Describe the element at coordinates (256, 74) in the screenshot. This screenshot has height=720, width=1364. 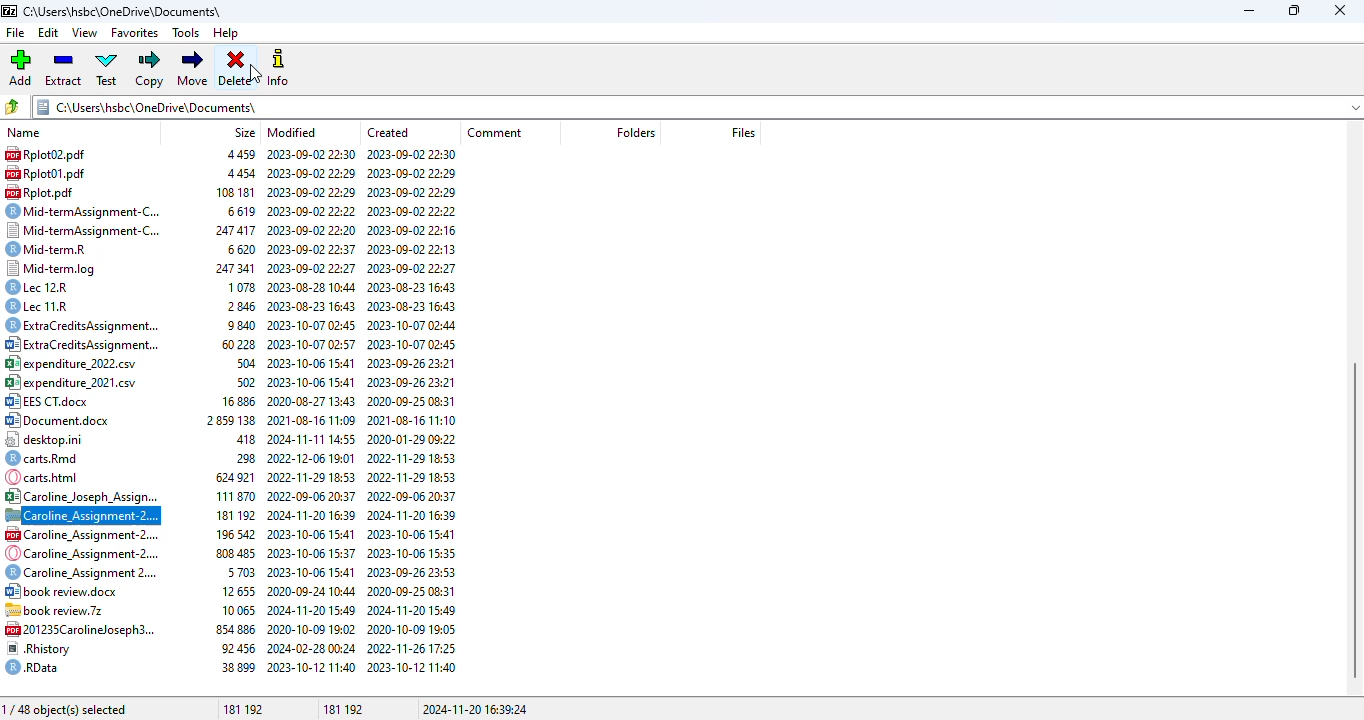
I see `cursor` at that location.